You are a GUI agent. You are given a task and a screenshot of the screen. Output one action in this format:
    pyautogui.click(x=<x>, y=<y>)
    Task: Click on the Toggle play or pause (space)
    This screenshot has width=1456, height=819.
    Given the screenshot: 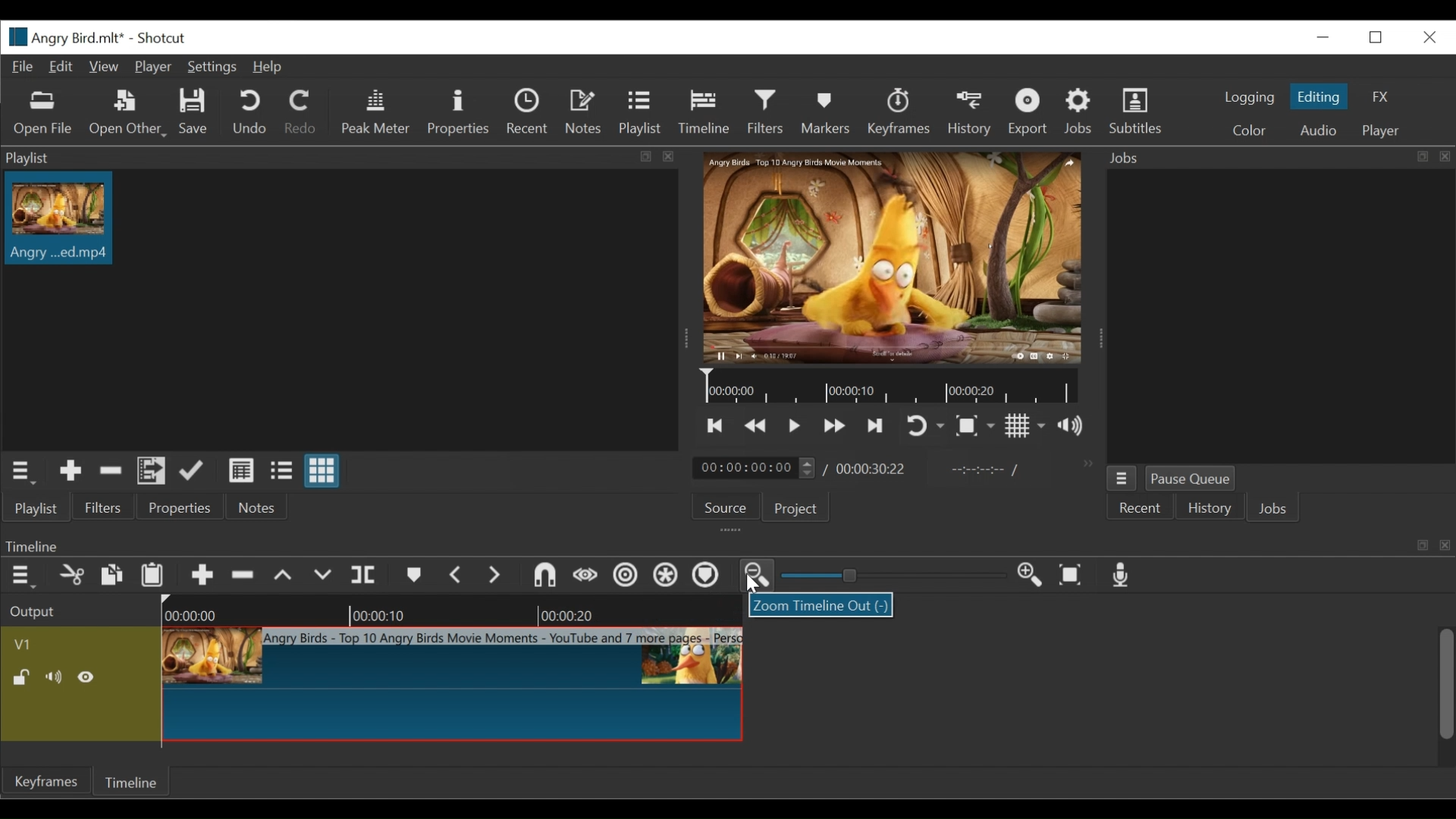 What is the action you would take?
    pyautogui.click(x=794, y=426)
    